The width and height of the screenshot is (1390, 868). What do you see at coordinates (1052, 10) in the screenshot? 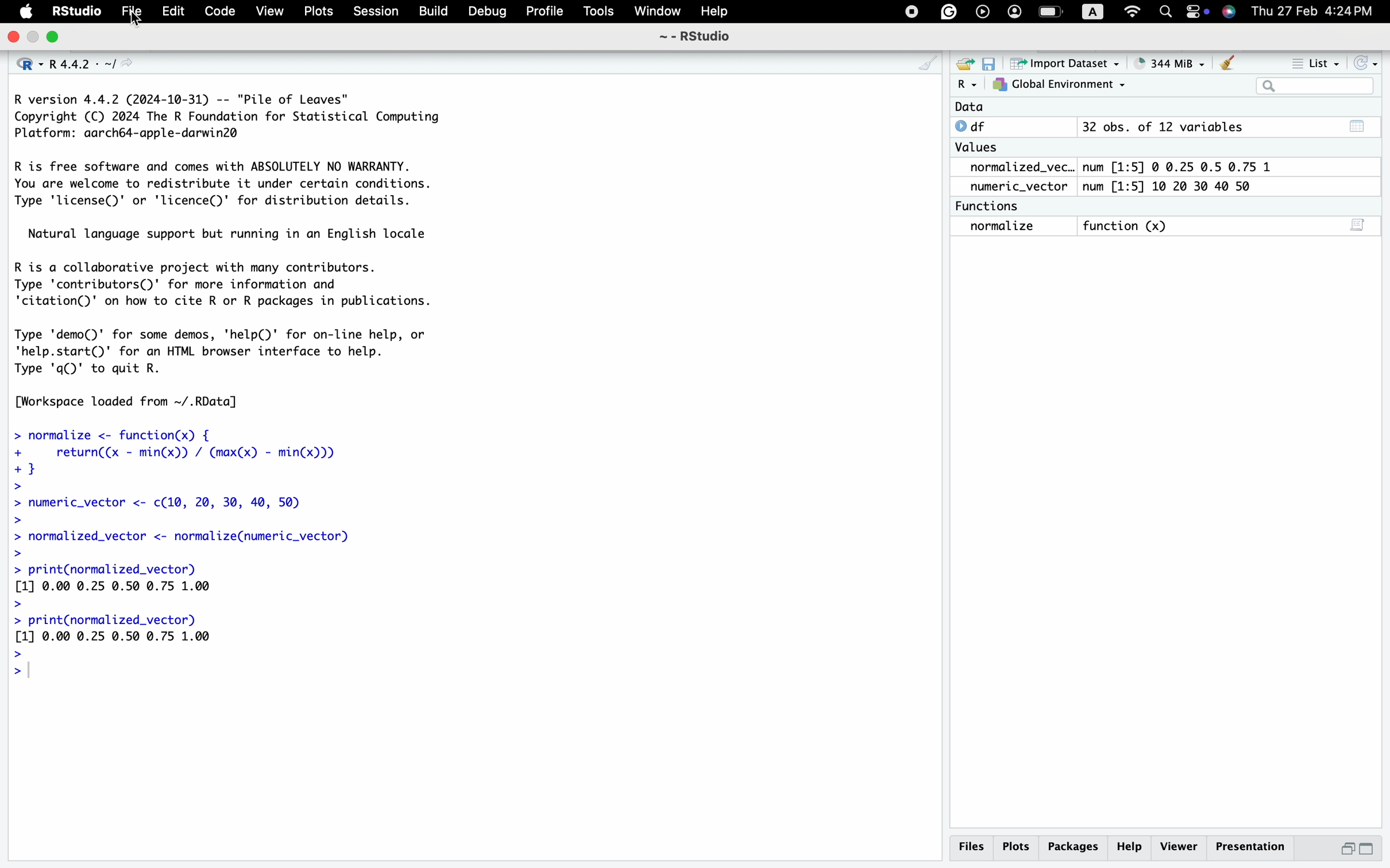
I see `battery` at bounding box center [1052, 10].